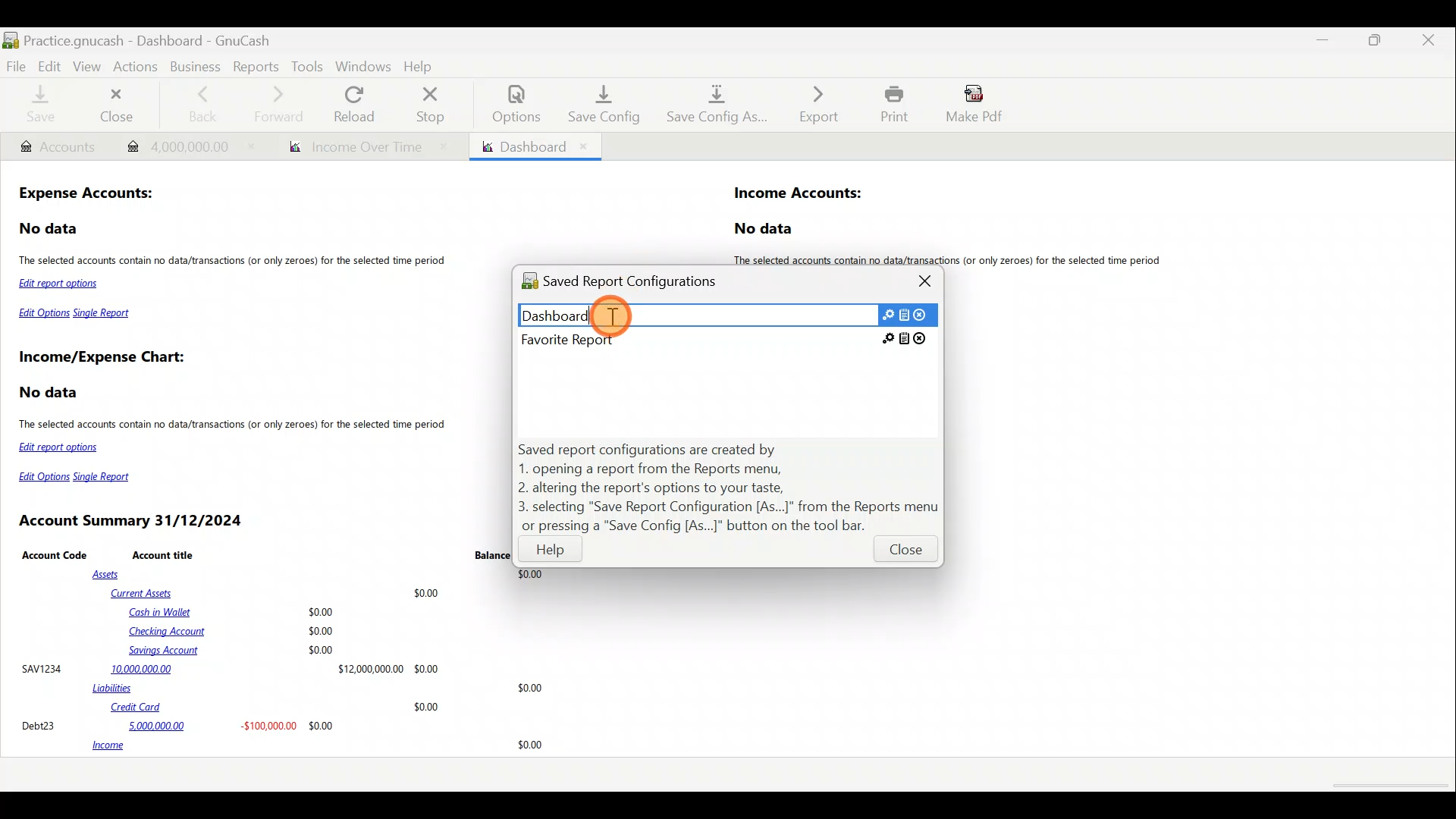  I want to click on File, so click(17, 65).